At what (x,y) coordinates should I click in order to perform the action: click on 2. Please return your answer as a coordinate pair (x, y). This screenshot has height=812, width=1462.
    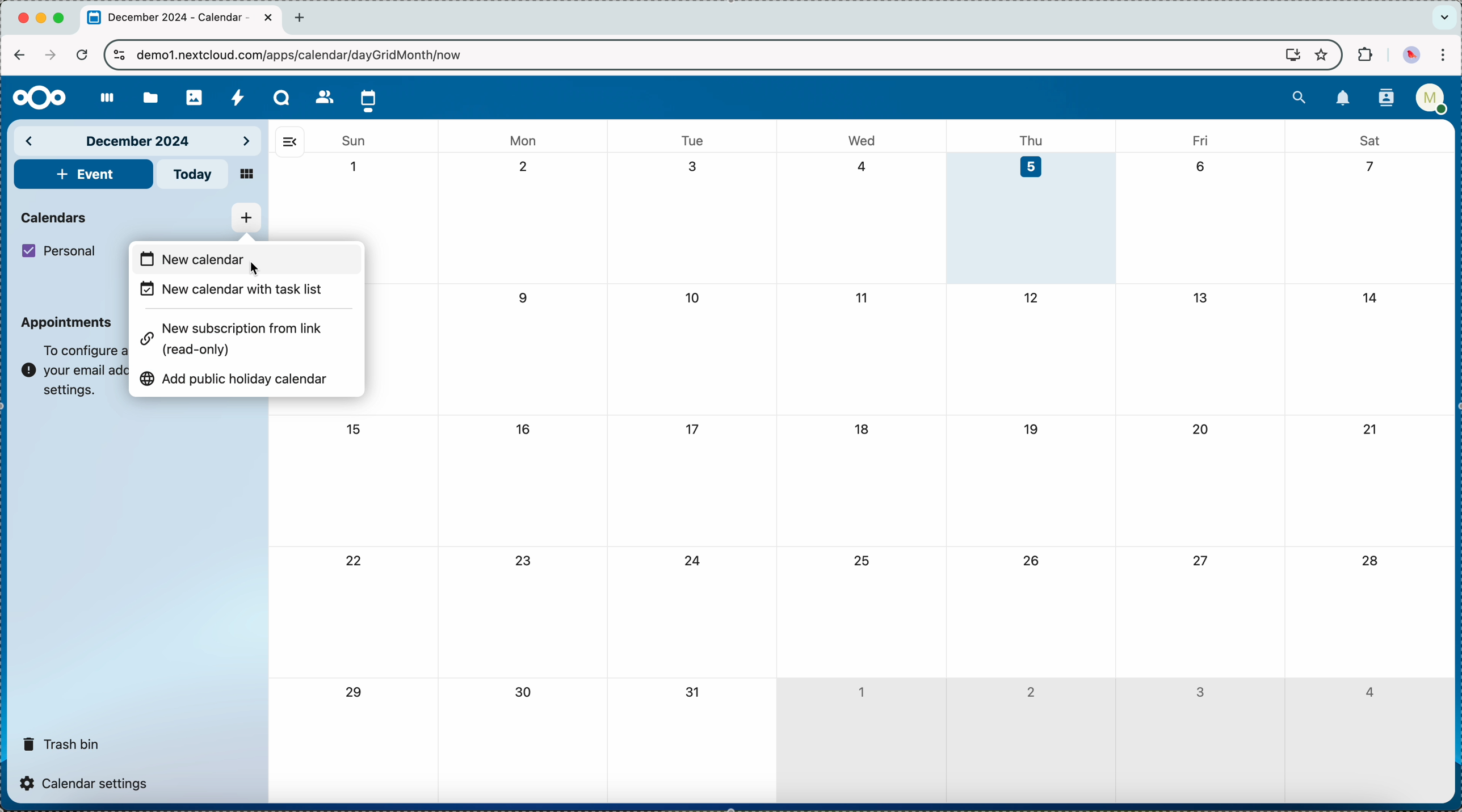
    Looking at the image, I should click on (528, 167).